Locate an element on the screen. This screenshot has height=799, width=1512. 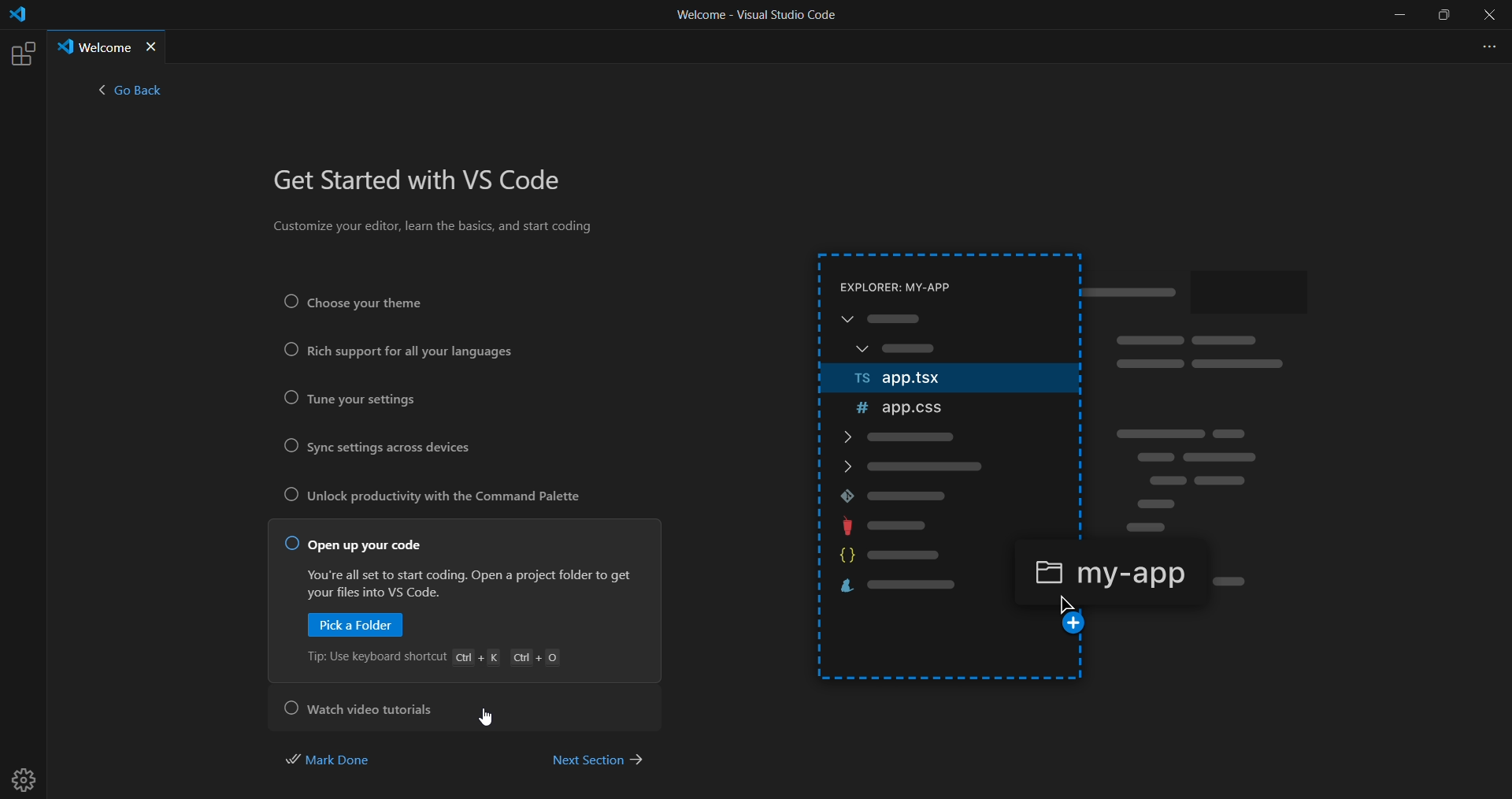
tip: use keyboard shortcut Ctrl + K Ctrl + 0 is located at coordinates (439, 659).